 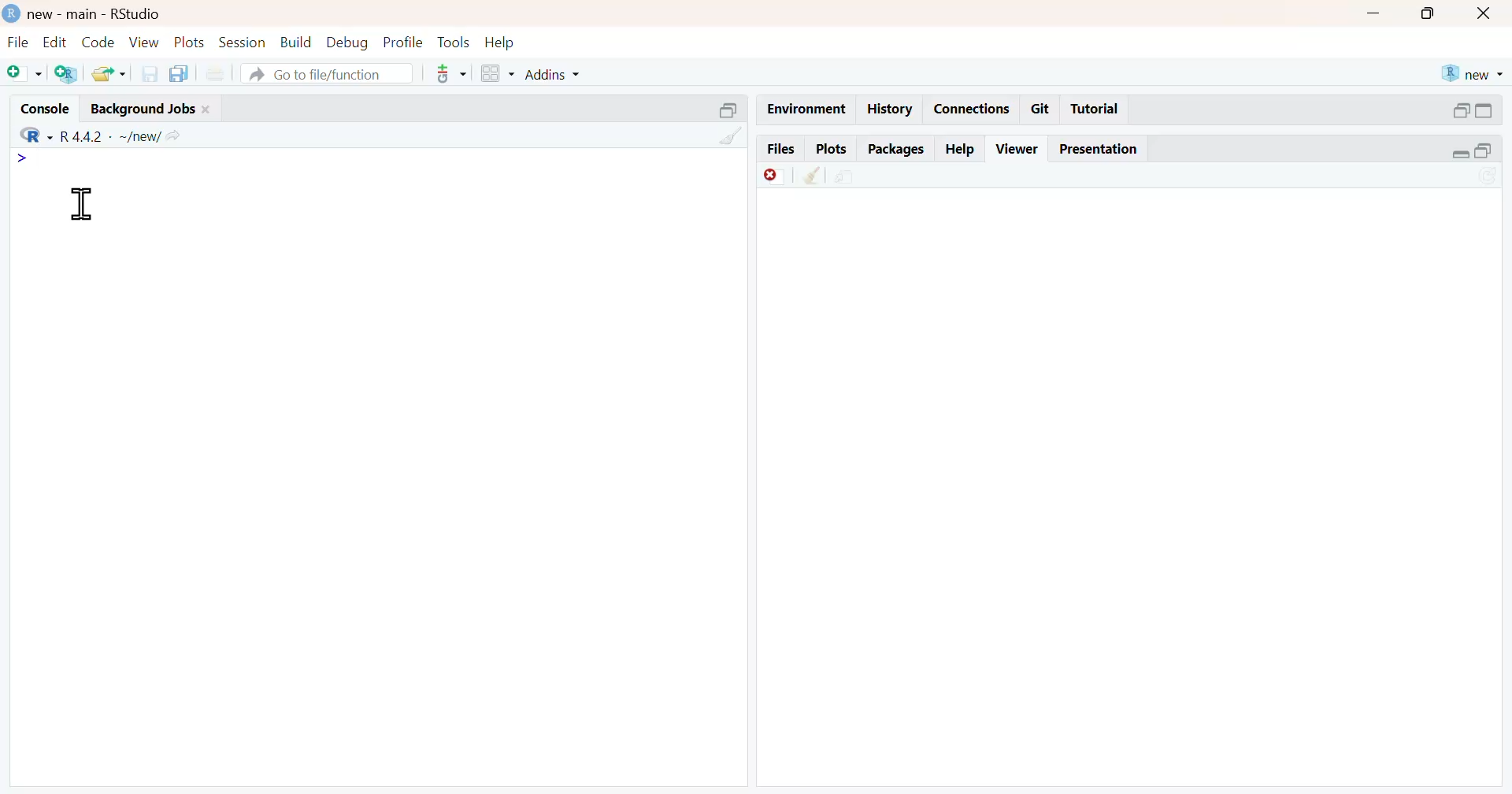 What do you see at coordinates (972, 109) in the screenshot?
I see `connections` at bounding box center [972, 109].